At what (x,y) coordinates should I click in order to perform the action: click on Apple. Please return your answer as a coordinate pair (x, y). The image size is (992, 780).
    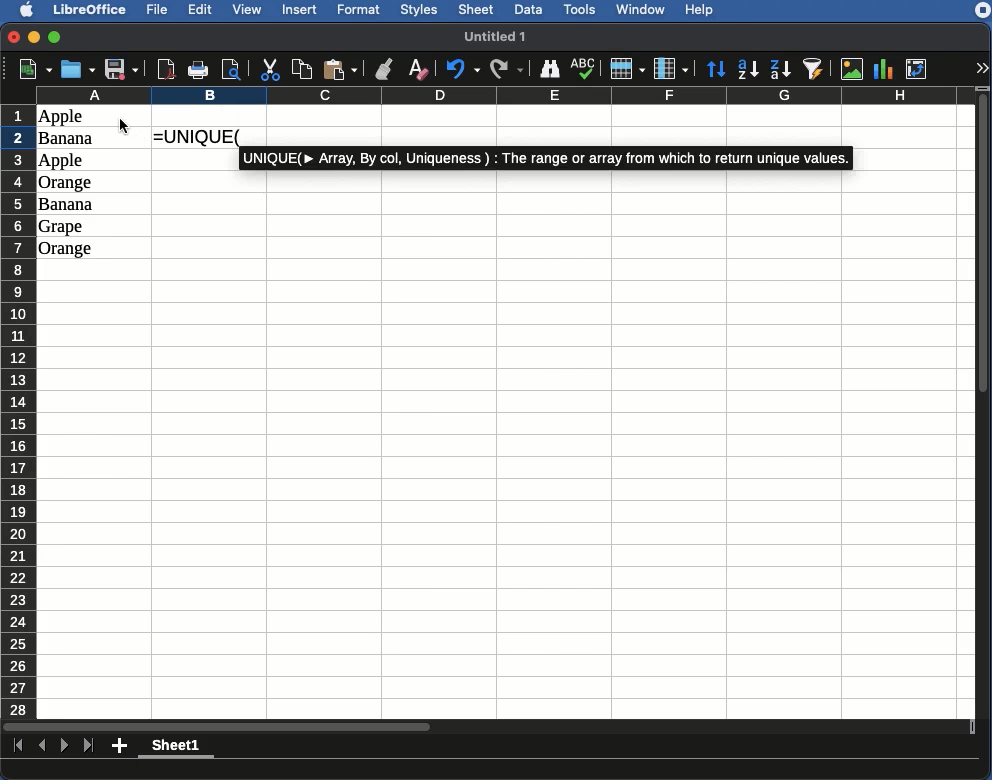
    Looking at the image, I should click on (61, 117).